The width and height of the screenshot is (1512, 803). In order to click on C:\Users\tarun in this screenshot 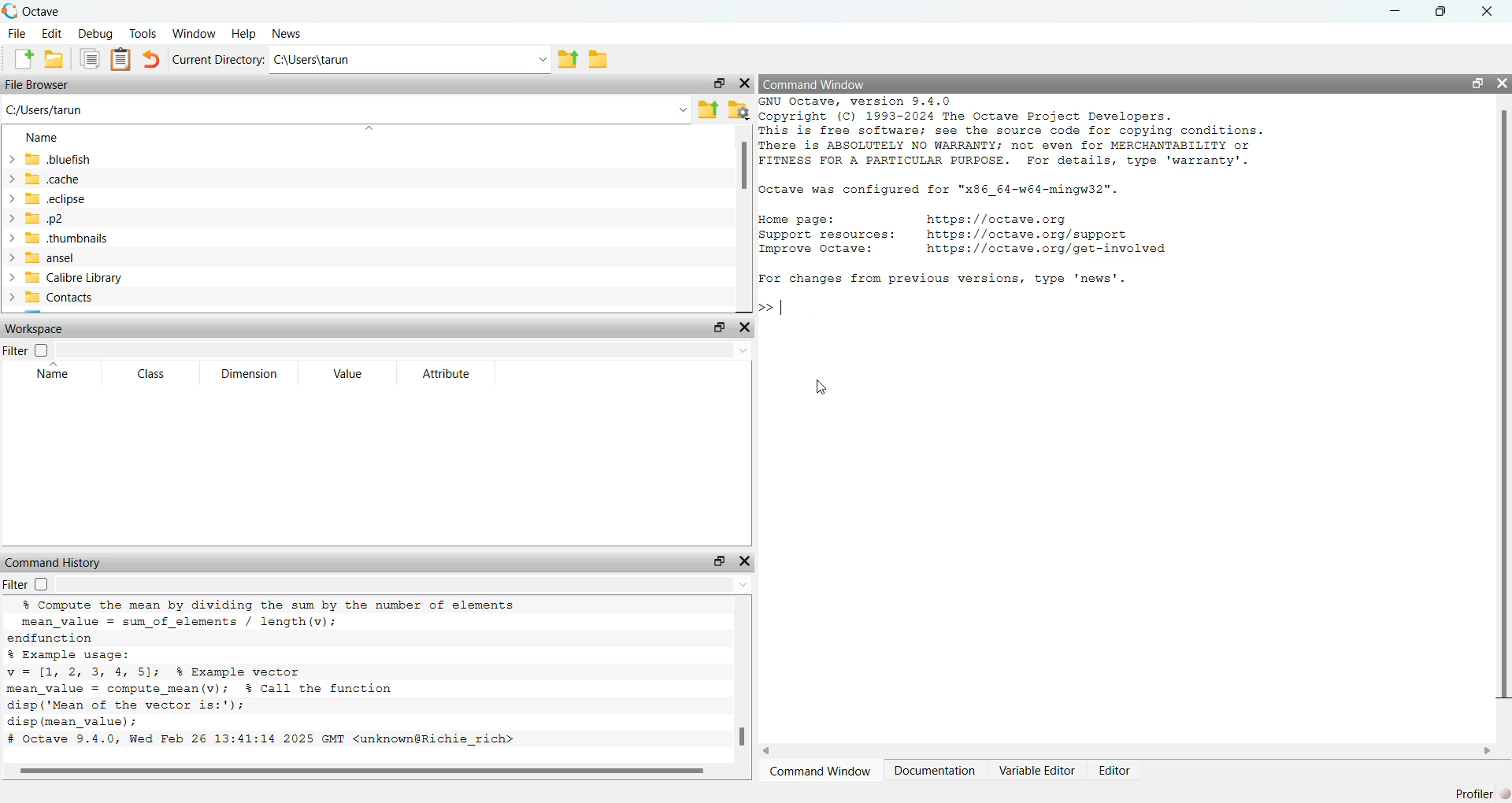, I will do `click(313, 60)`.